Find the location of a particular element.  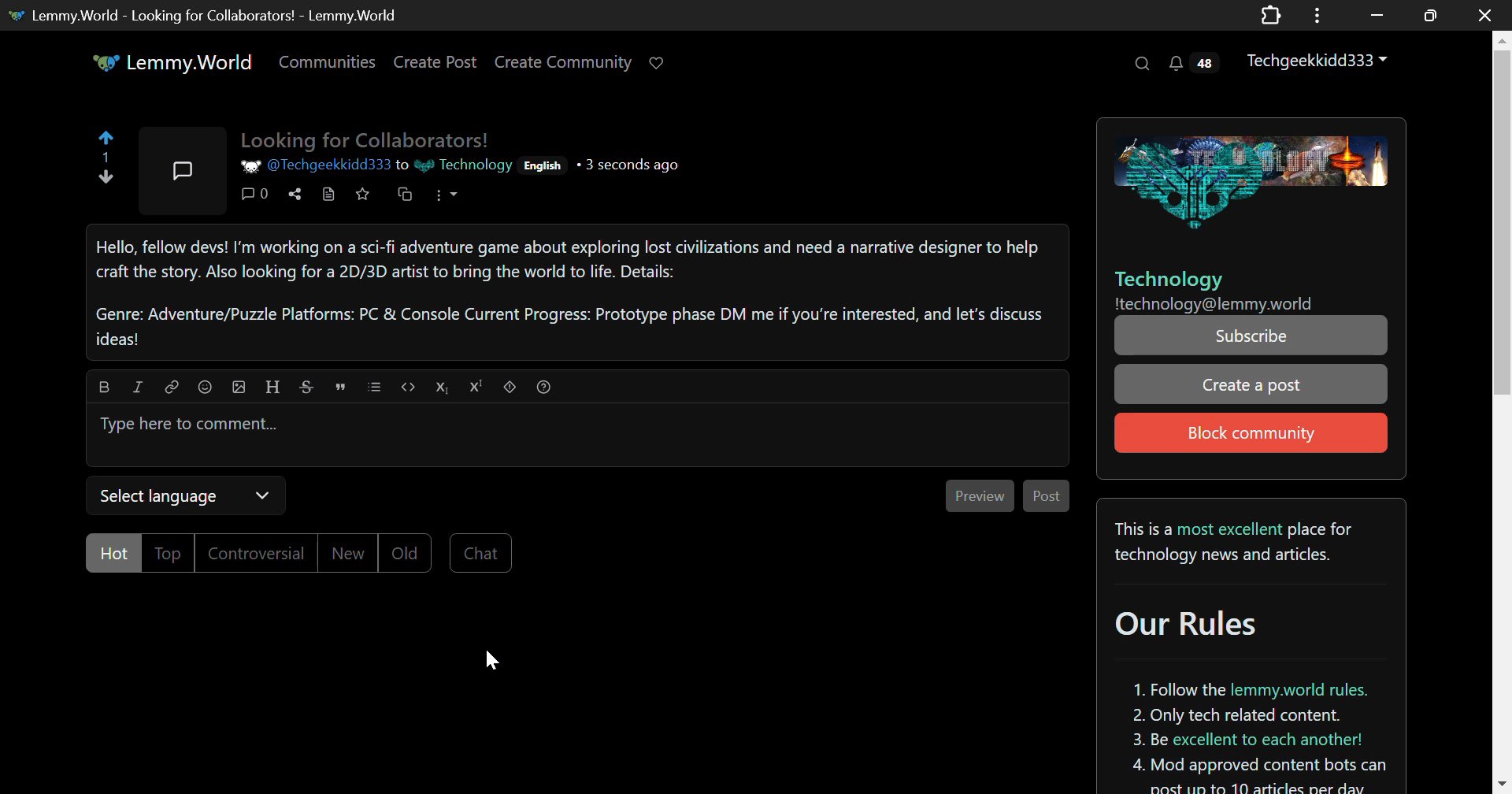

Old is located at coordinates (407, 552).